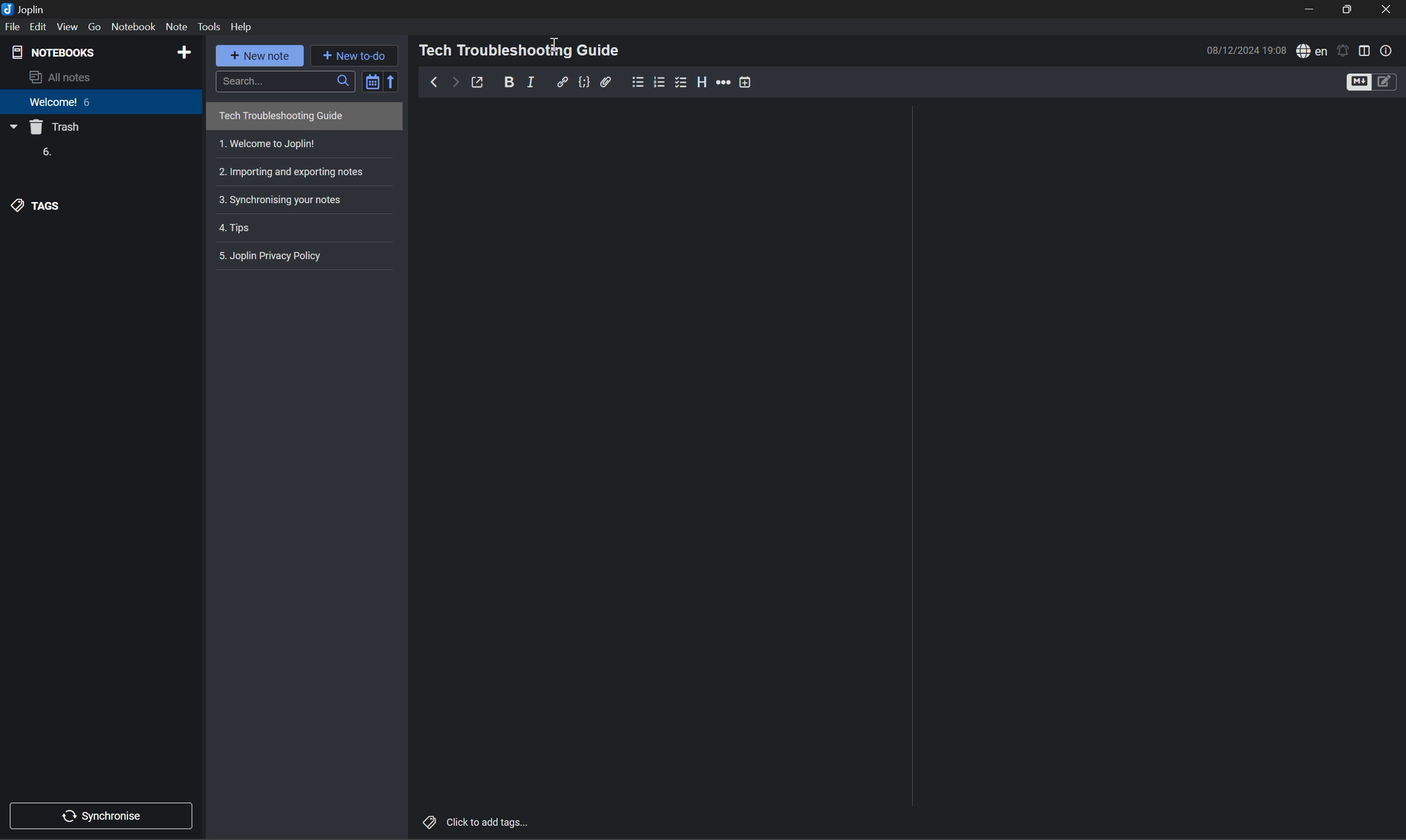 Image resolution: width=1406 pixels, height=840 pixels. I want to click on 08/12/2024 18:53, so click(1246, 50).